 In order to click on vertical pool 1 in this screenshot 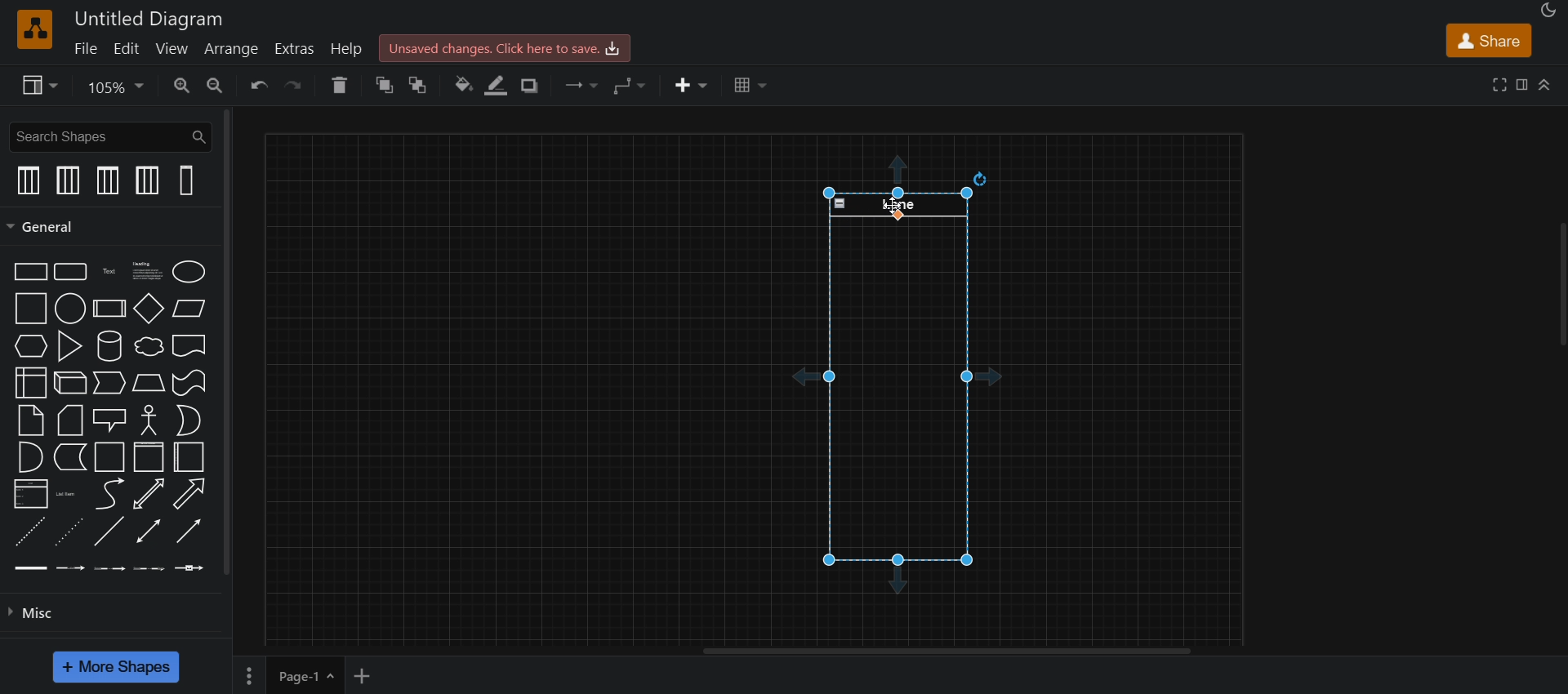, I will do `click(109, 180)`.